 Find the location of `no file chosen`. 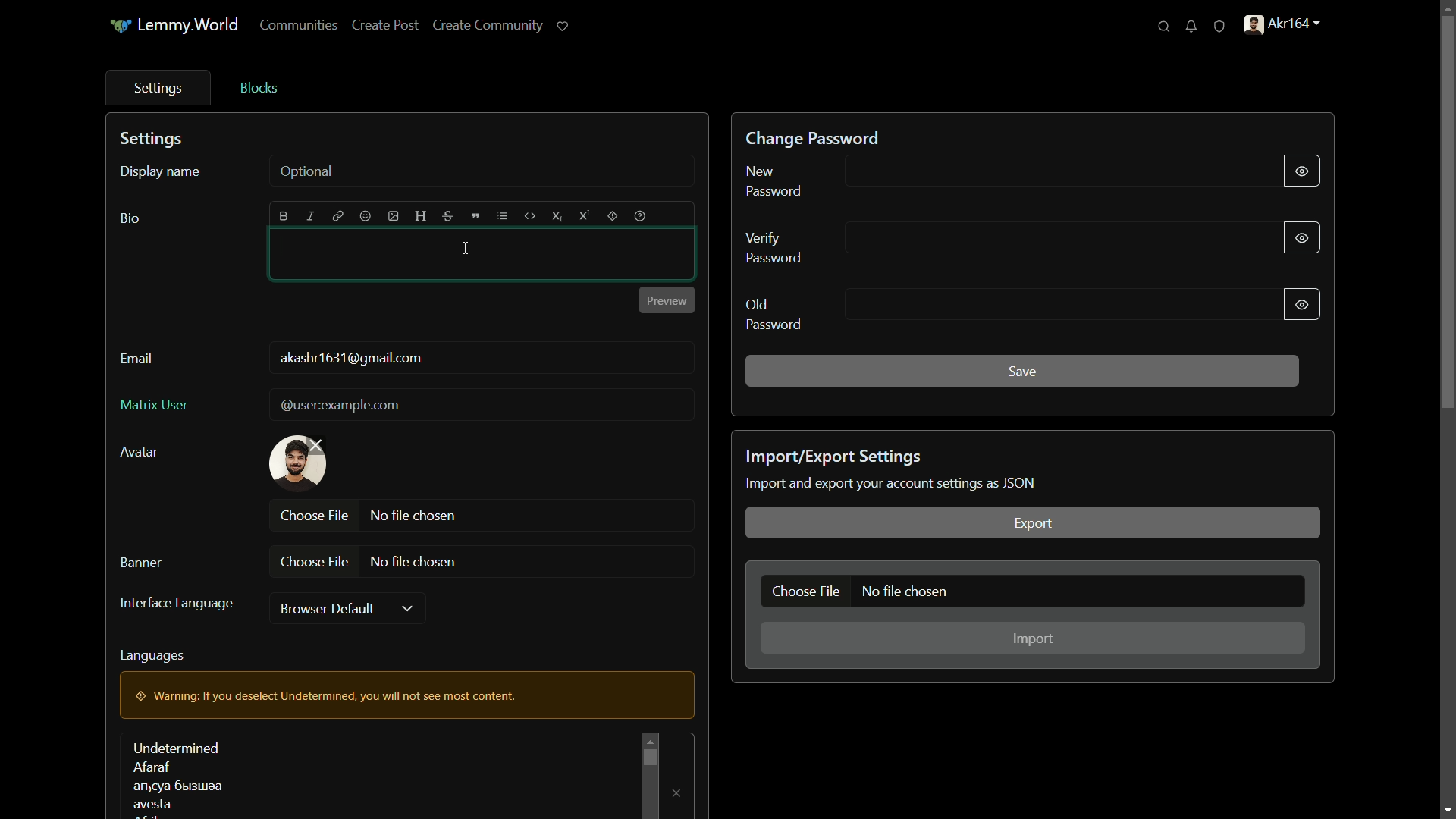

no file chosen is located at coordinates (416, 516).